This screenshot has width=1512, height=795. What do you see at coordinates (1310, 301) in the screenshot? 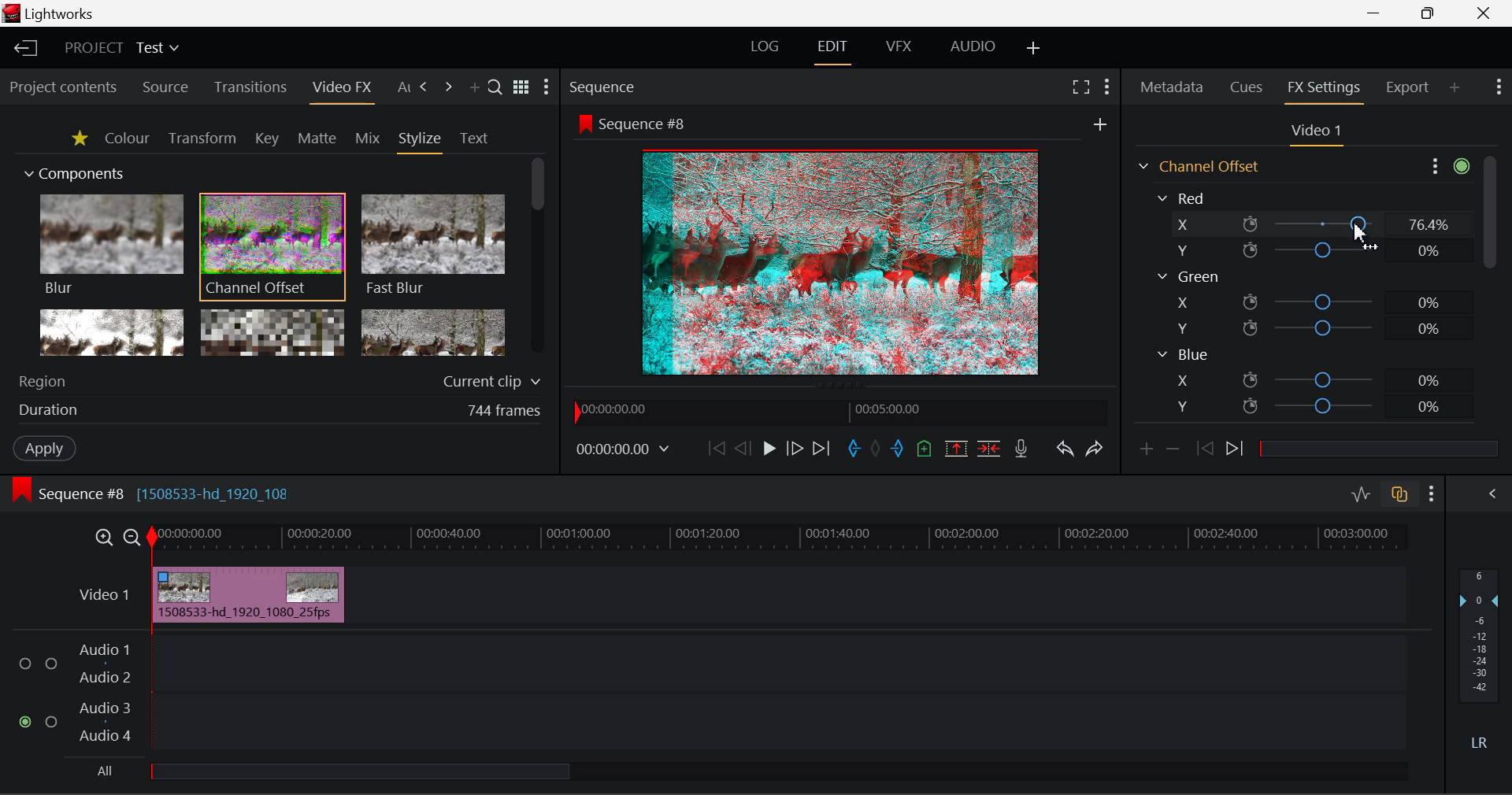
I see `Green X` at bounding box center [1310, 301].